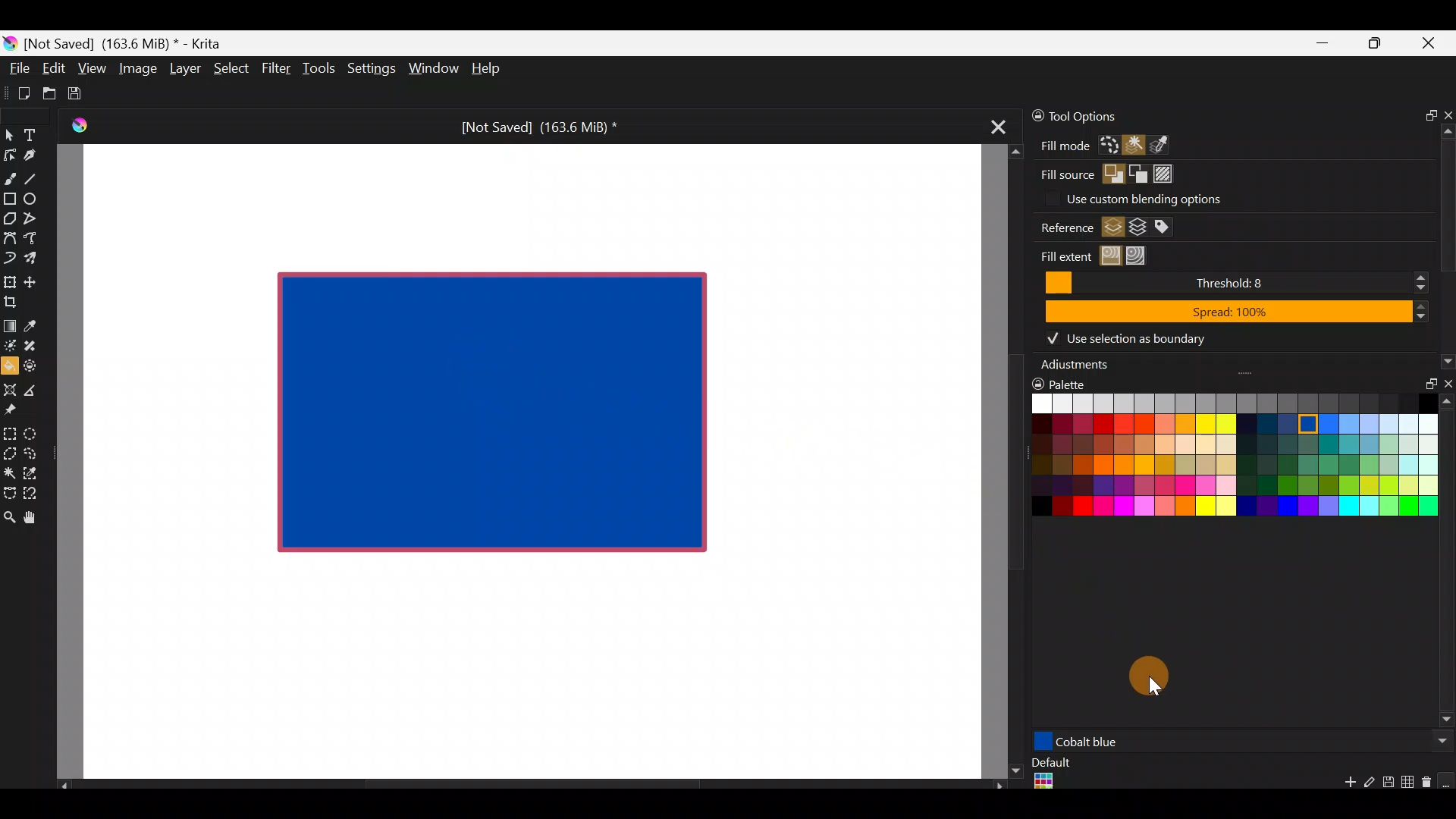 The width and height of the screenshot is (1456, 819). What do you see at coordinates (1342, 786) in the screenshot?
I see `Add a new colour swatch` at bounding box center [1342, 786].